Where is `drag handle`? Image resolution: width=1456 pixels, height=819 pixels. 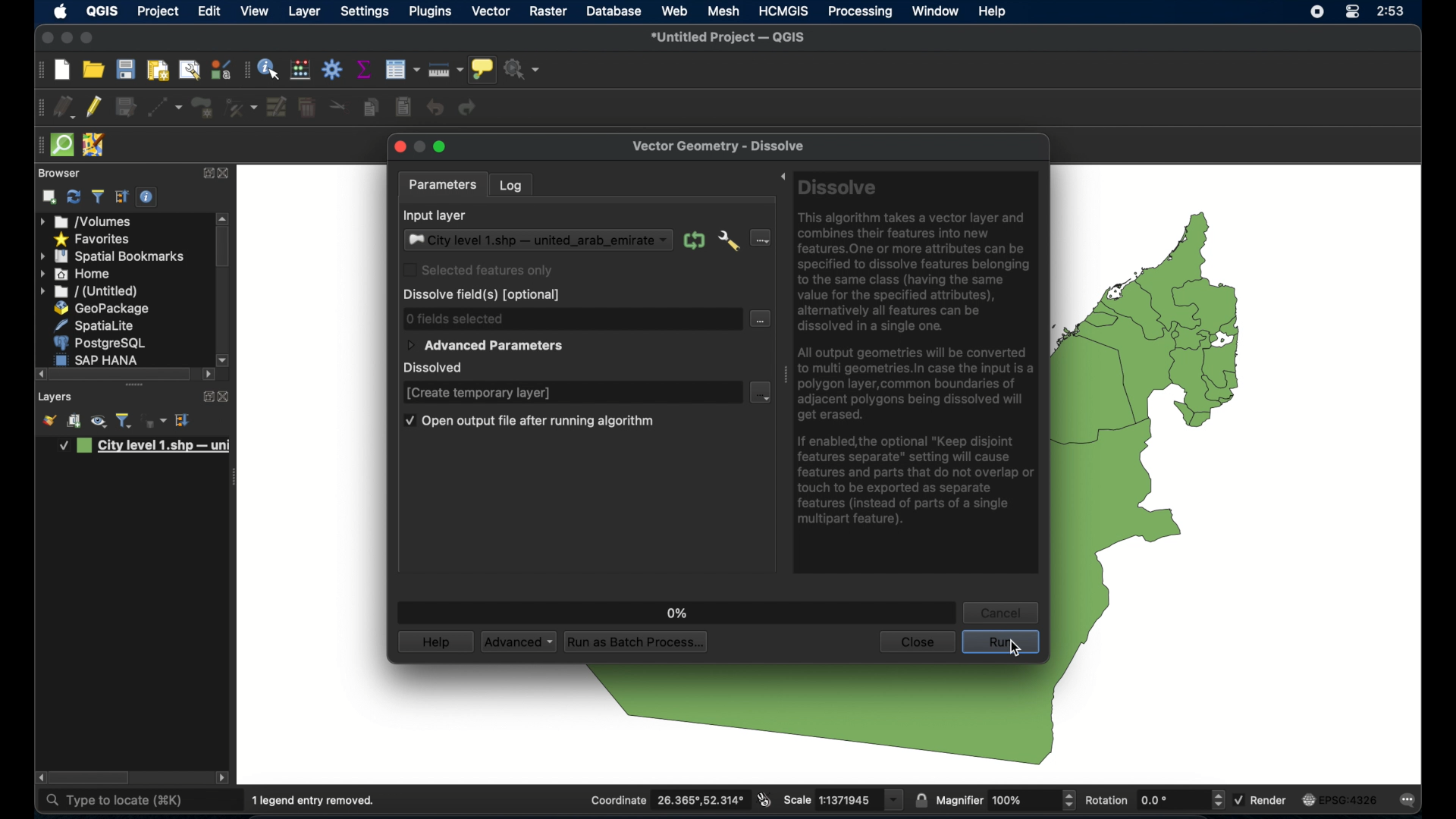 drag handle is located at coordinates (785, 373).